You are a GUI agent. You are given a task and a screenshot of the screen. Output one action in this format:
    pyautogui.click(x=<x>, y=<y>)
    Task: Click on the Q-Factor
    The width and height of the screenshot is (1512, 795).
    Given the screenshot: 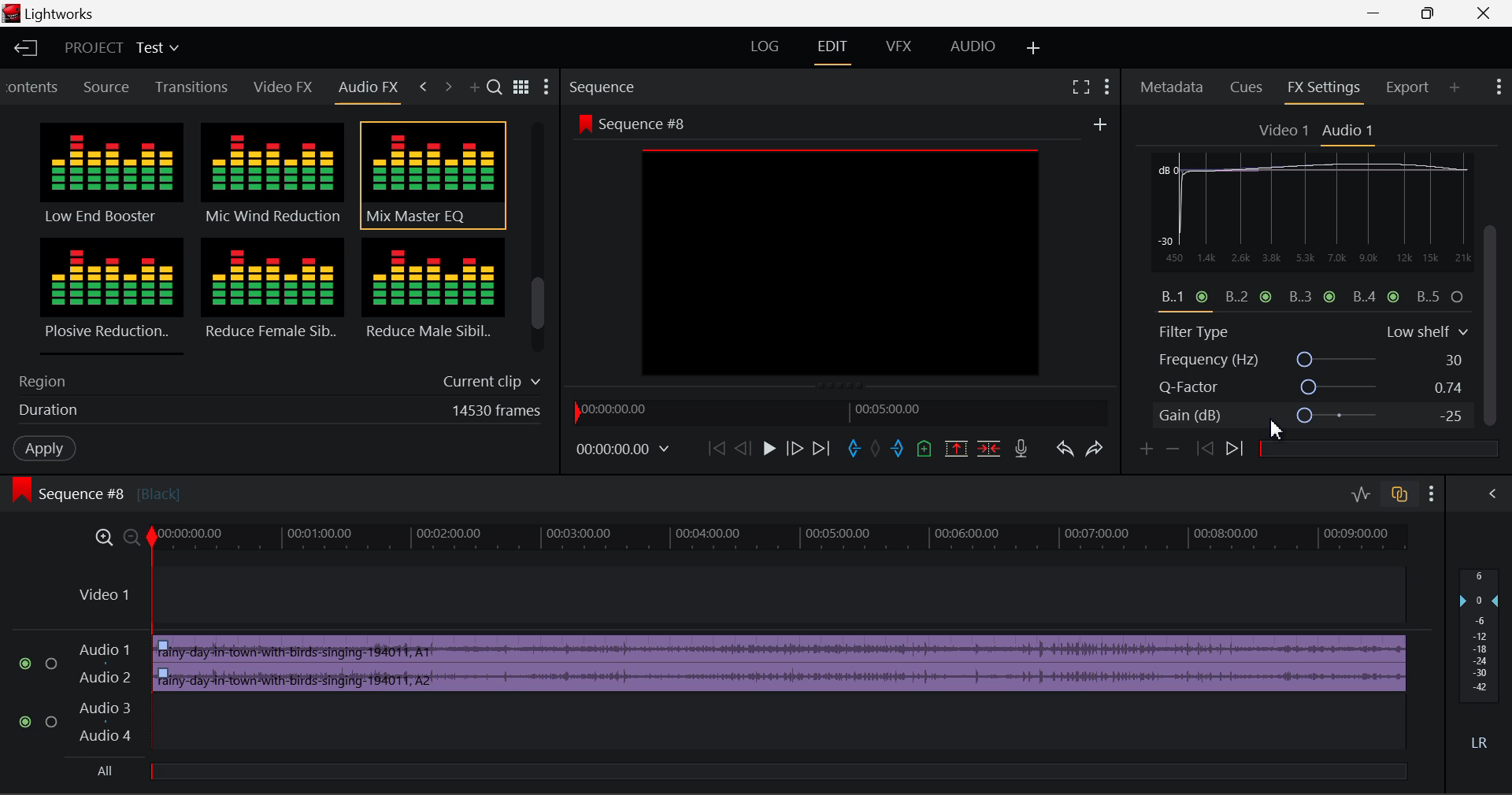 What is the action you would take?
    pyautogui.click(x=1314, y=388)
    